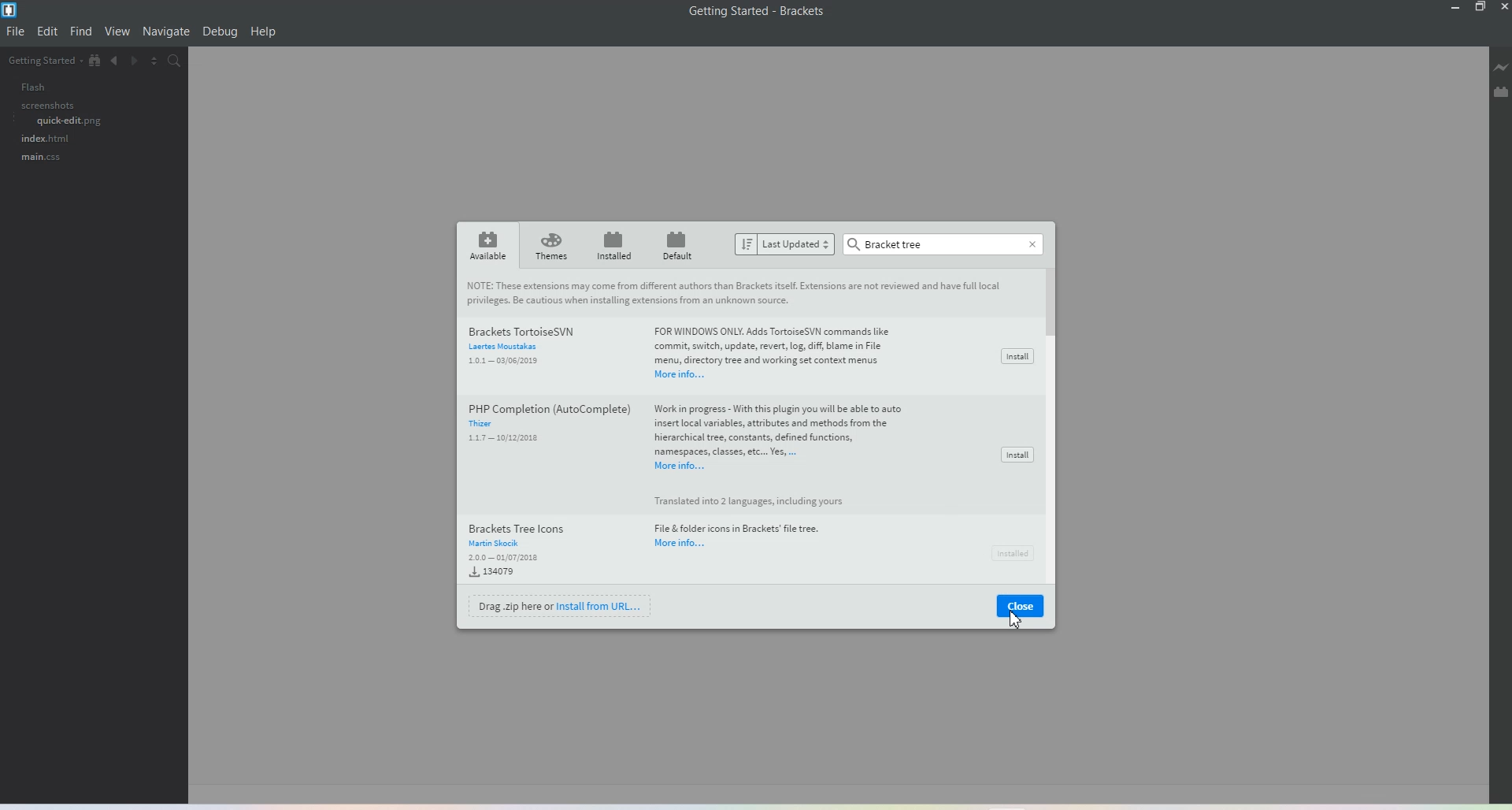  Describe the element at coordinates (264, 32) in the screenshot. I see `Help` at that location.